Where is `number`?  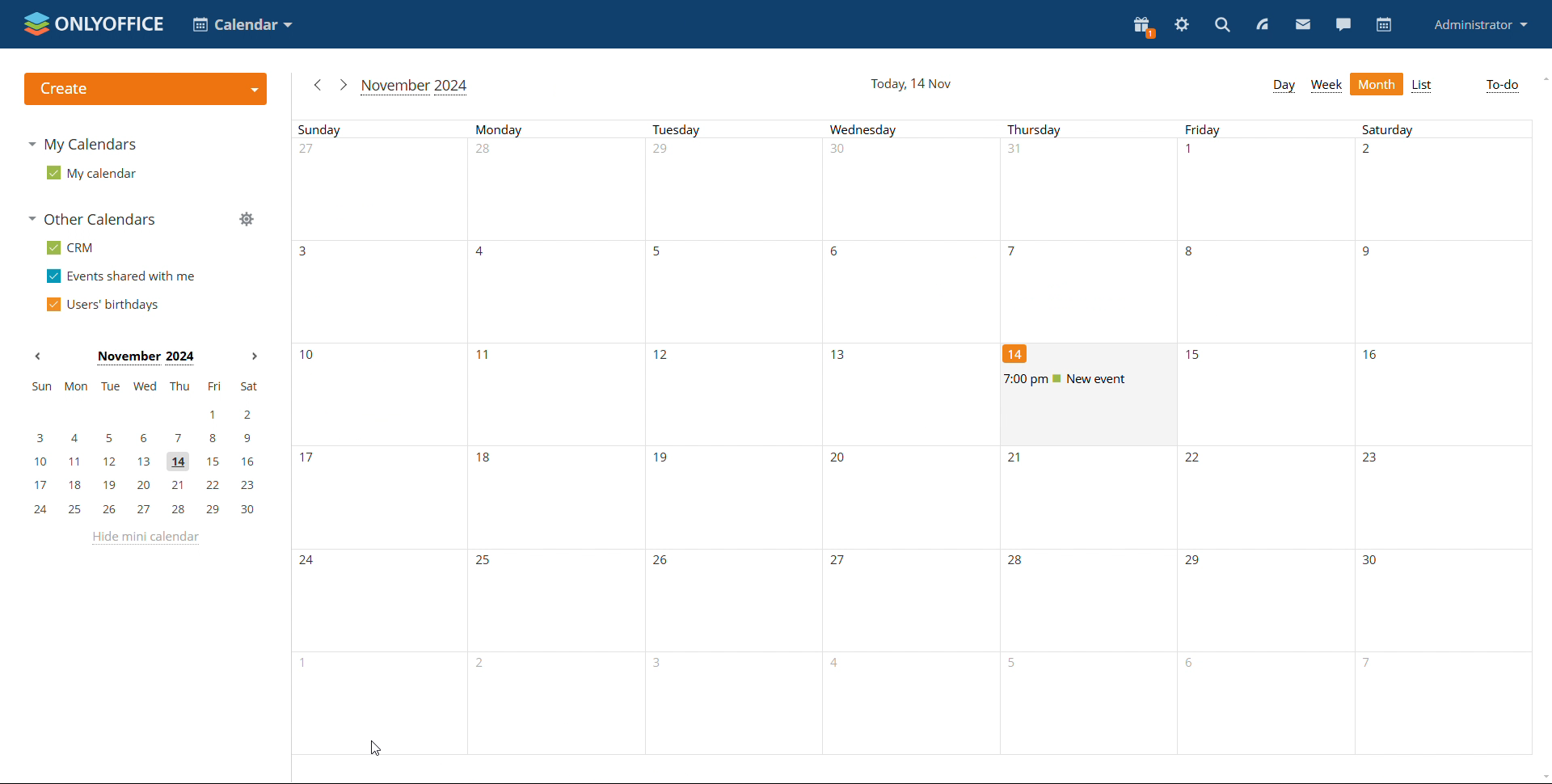
number is located at coordinates (1197, 461).